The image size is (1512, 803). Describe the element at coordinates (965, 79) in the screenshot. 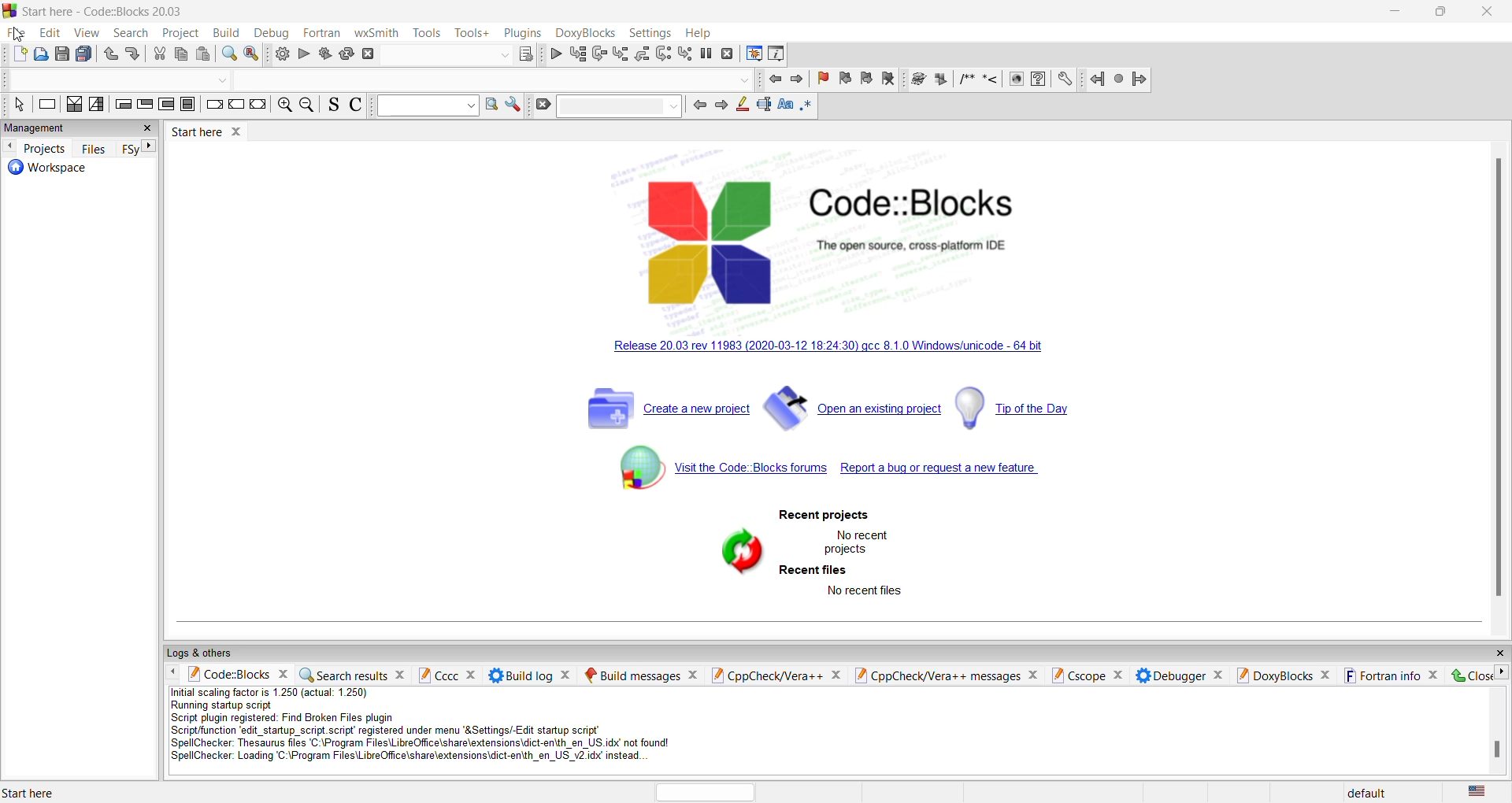

I see `comments` at that location.